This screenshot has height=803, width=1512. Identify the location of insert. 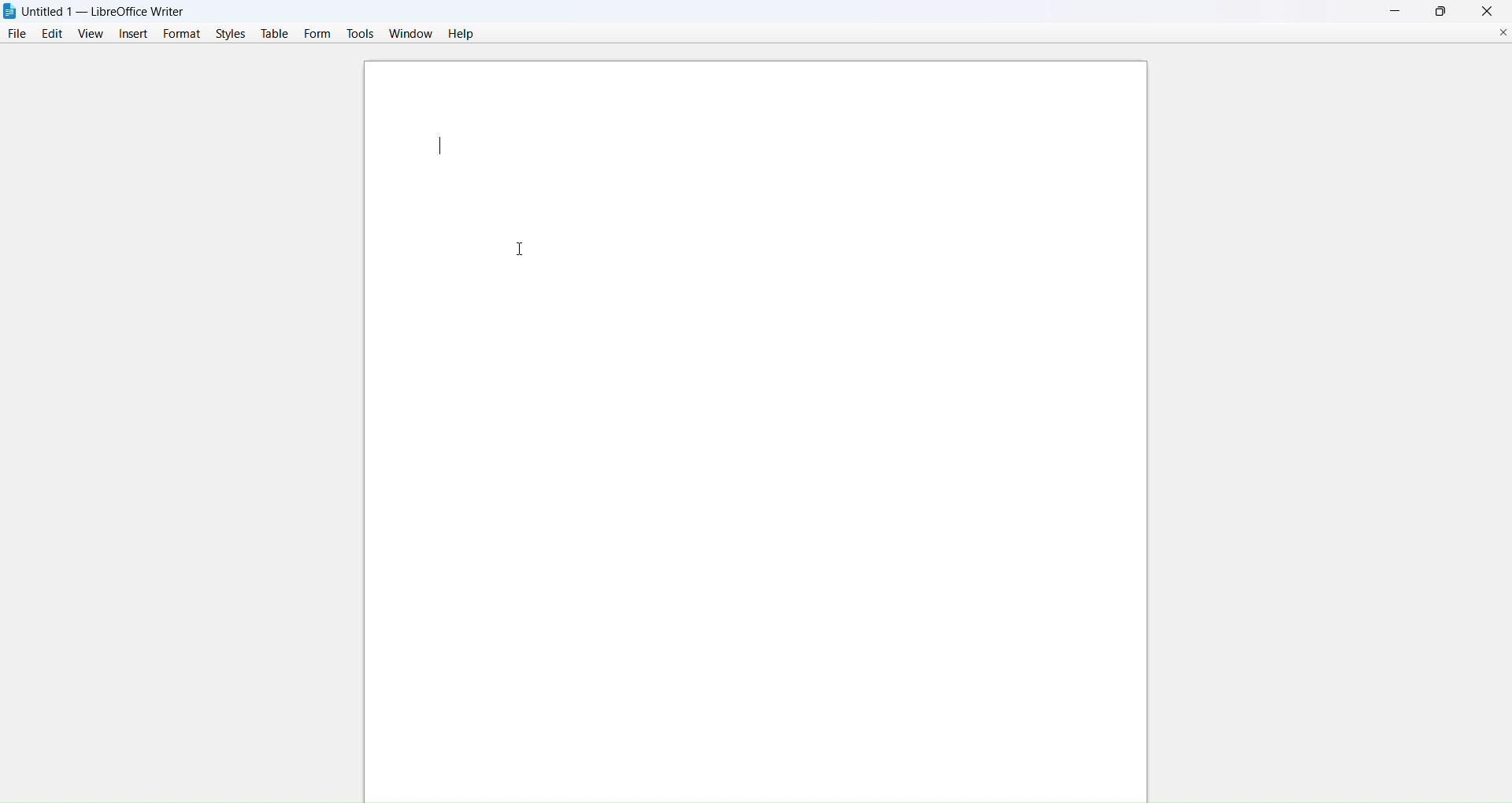
(134, 32).